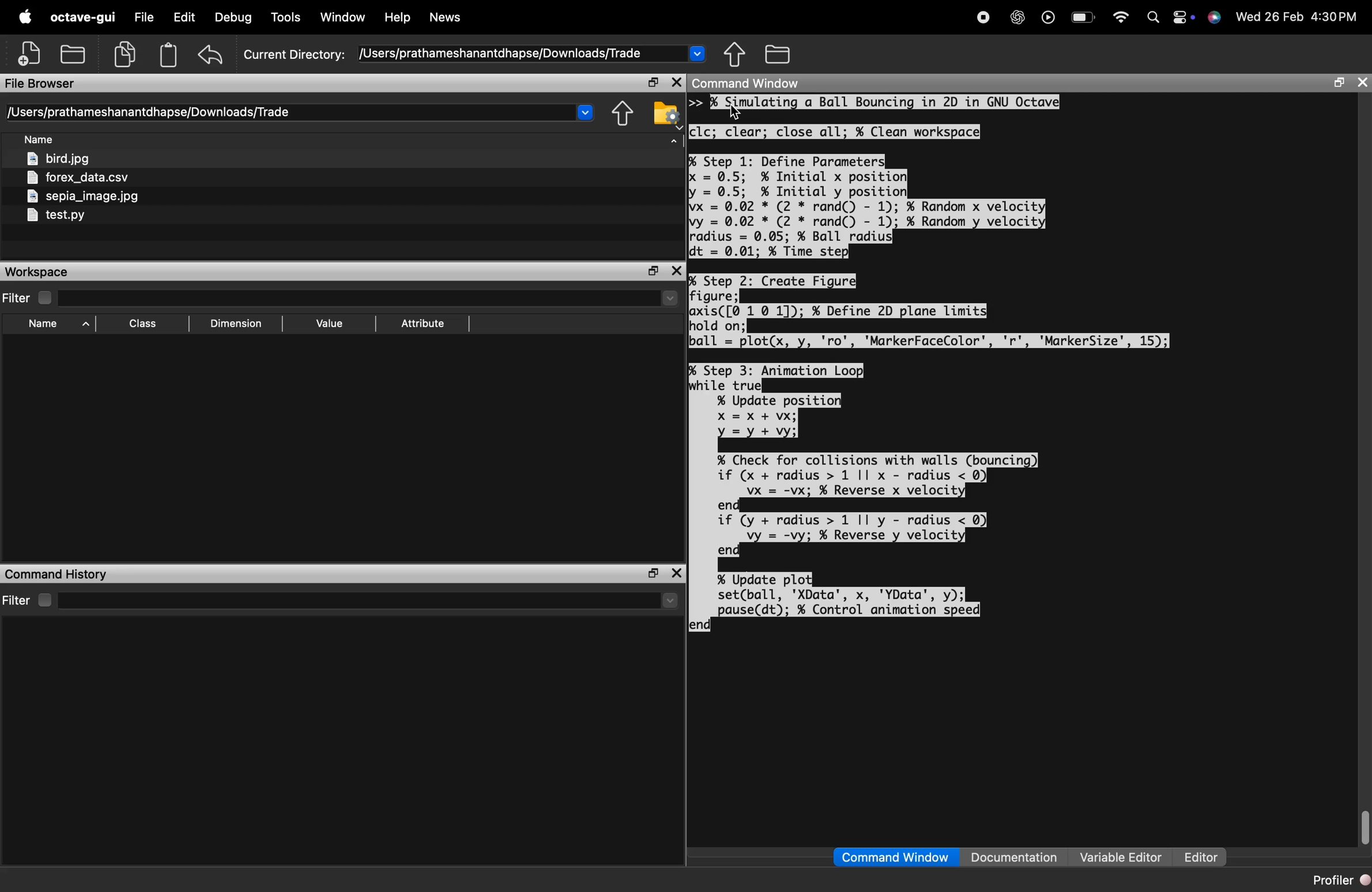 The width and height of the screenshot is (1372, 892). Describe the element at coordinates (678, 271) in the screenshot. I see `close` at that location.